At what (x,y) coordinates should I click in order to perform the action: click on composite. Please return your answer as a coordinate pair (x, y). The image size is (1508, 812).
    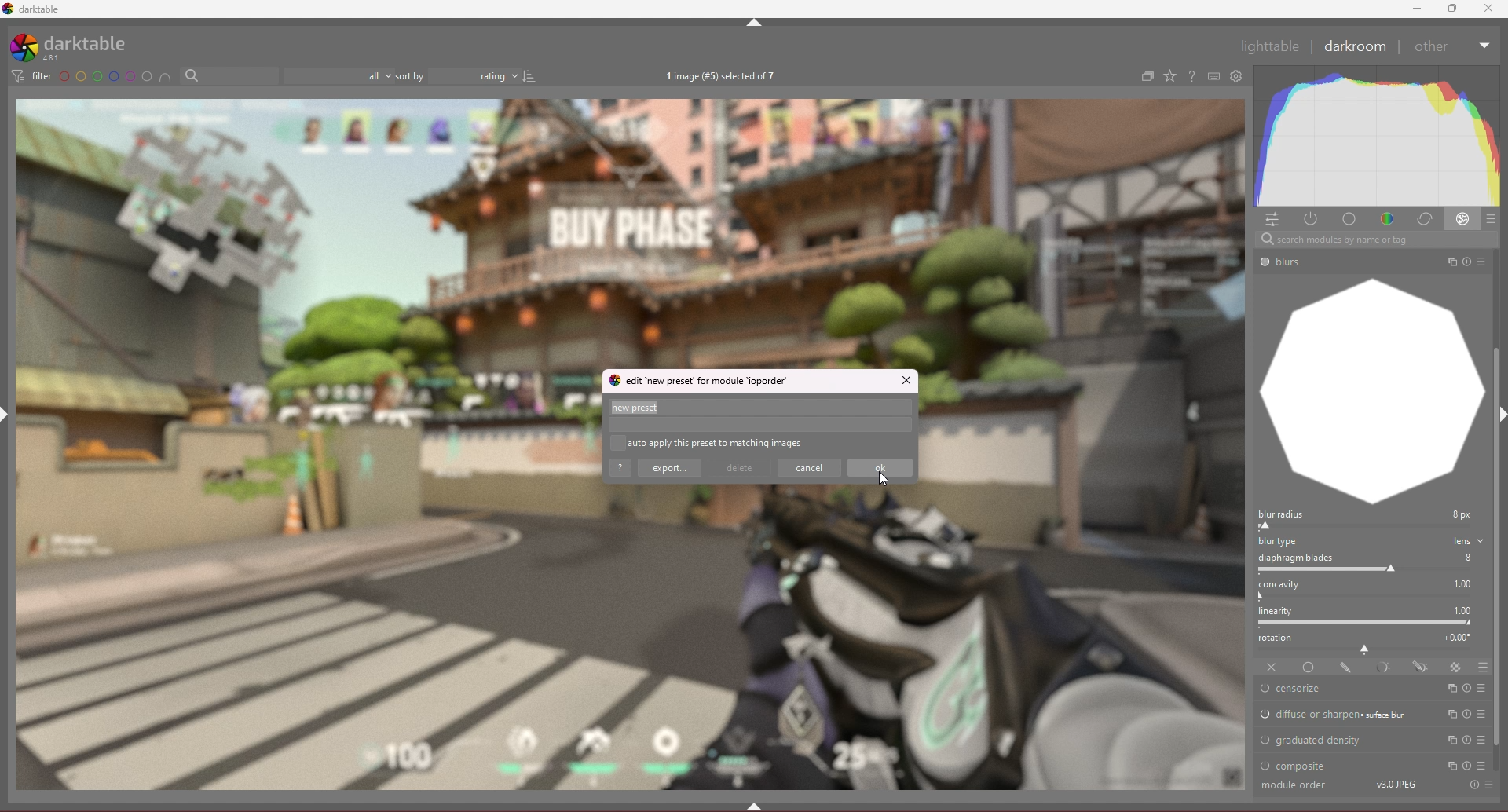
    Looking at the image, I should click on (1298, 765).